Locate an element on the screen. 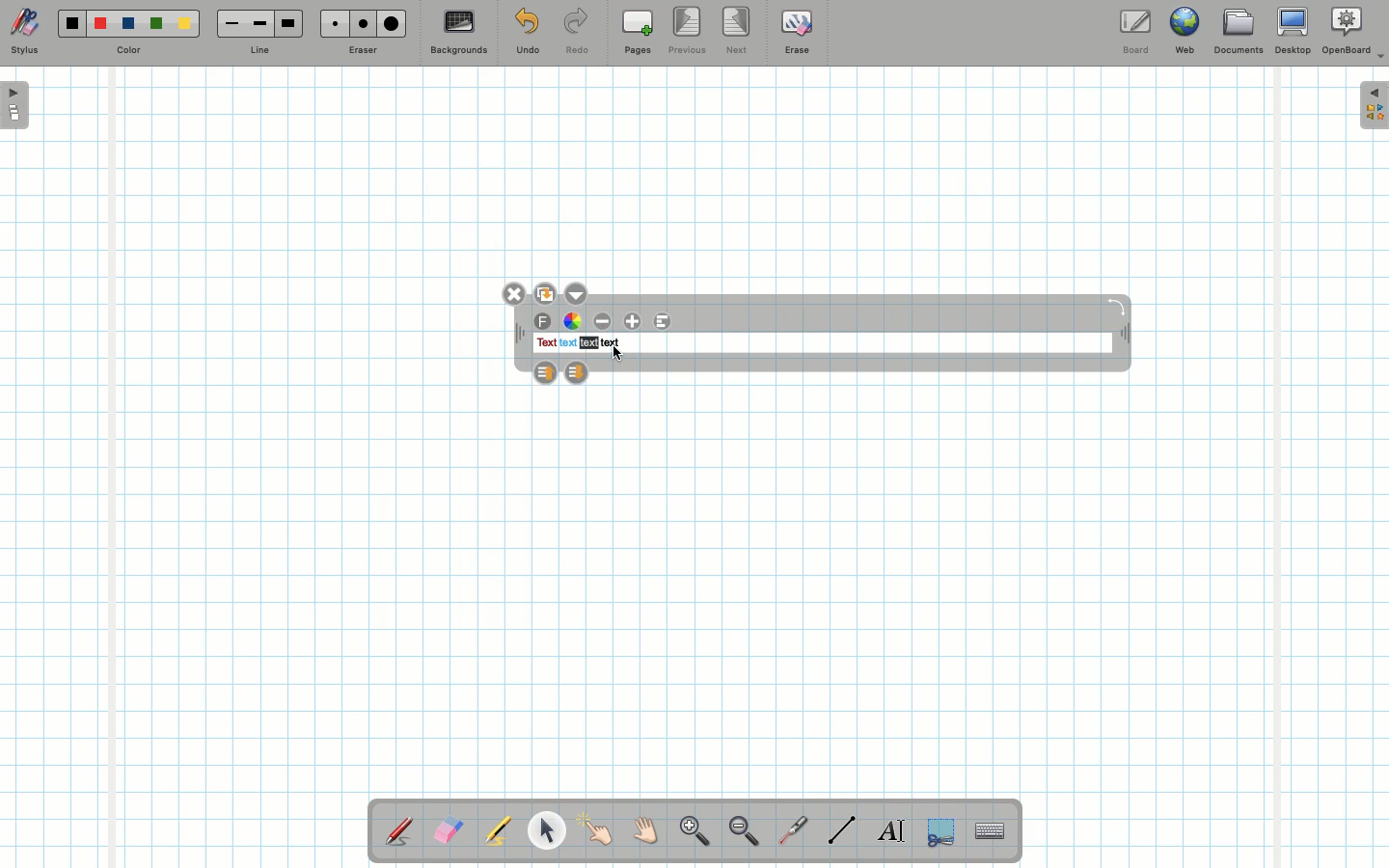 This screenshot has width=1389, height=868. text is located at coordinates (589, 343).